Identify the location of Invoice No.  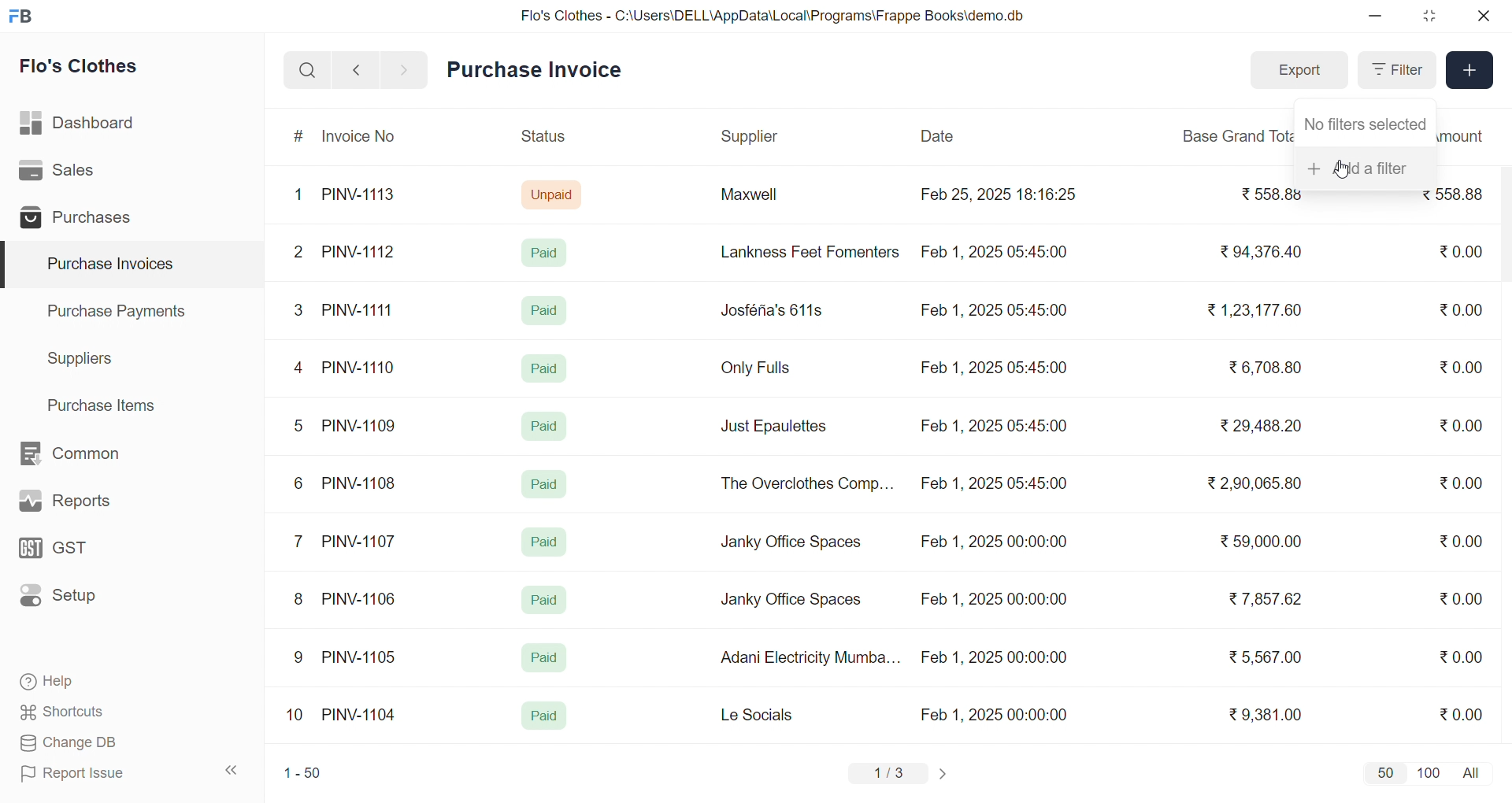
(365, 137).